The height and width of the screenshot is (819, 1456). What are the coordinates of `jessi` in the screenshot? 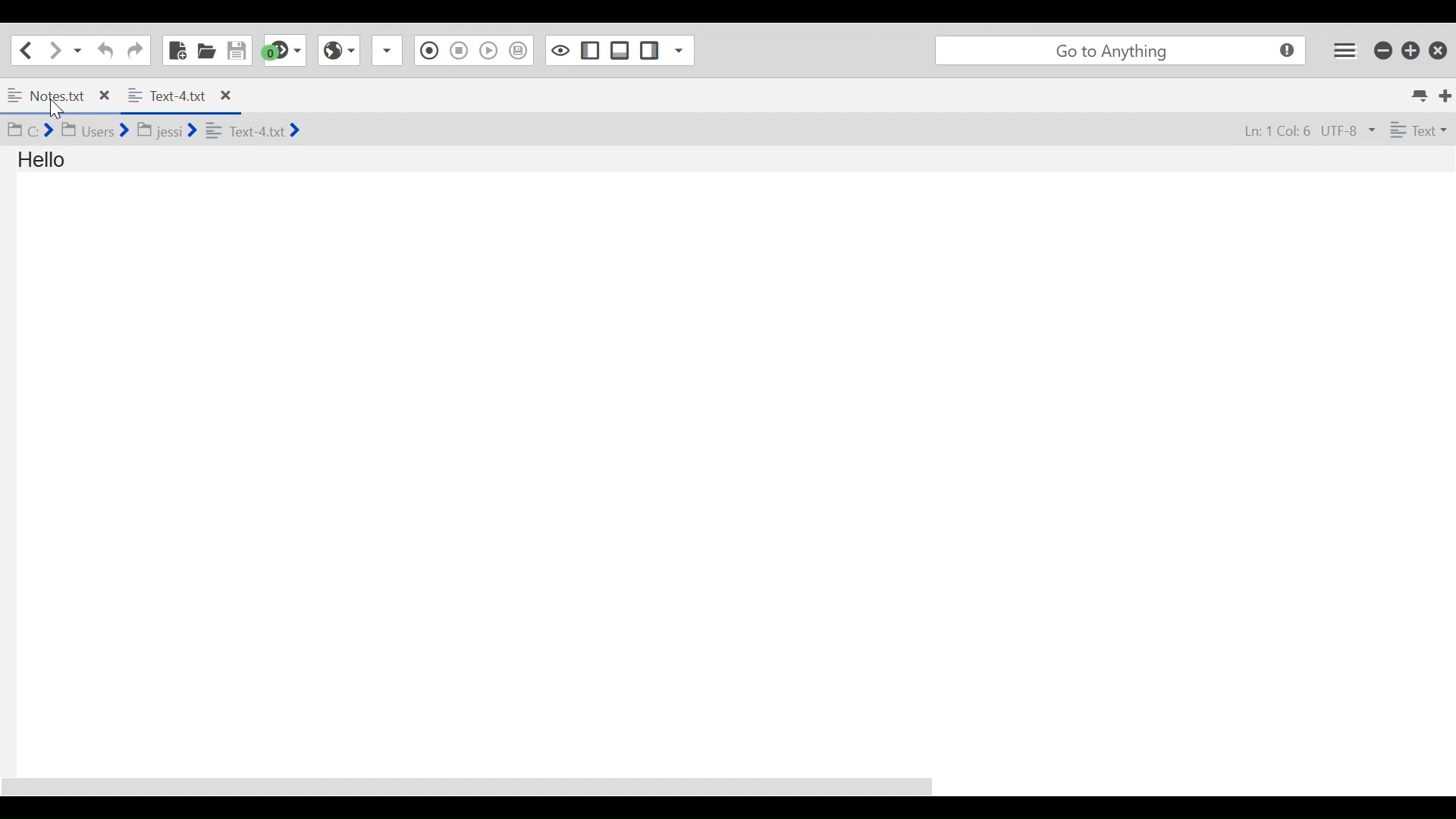 It's located at (168, 127).